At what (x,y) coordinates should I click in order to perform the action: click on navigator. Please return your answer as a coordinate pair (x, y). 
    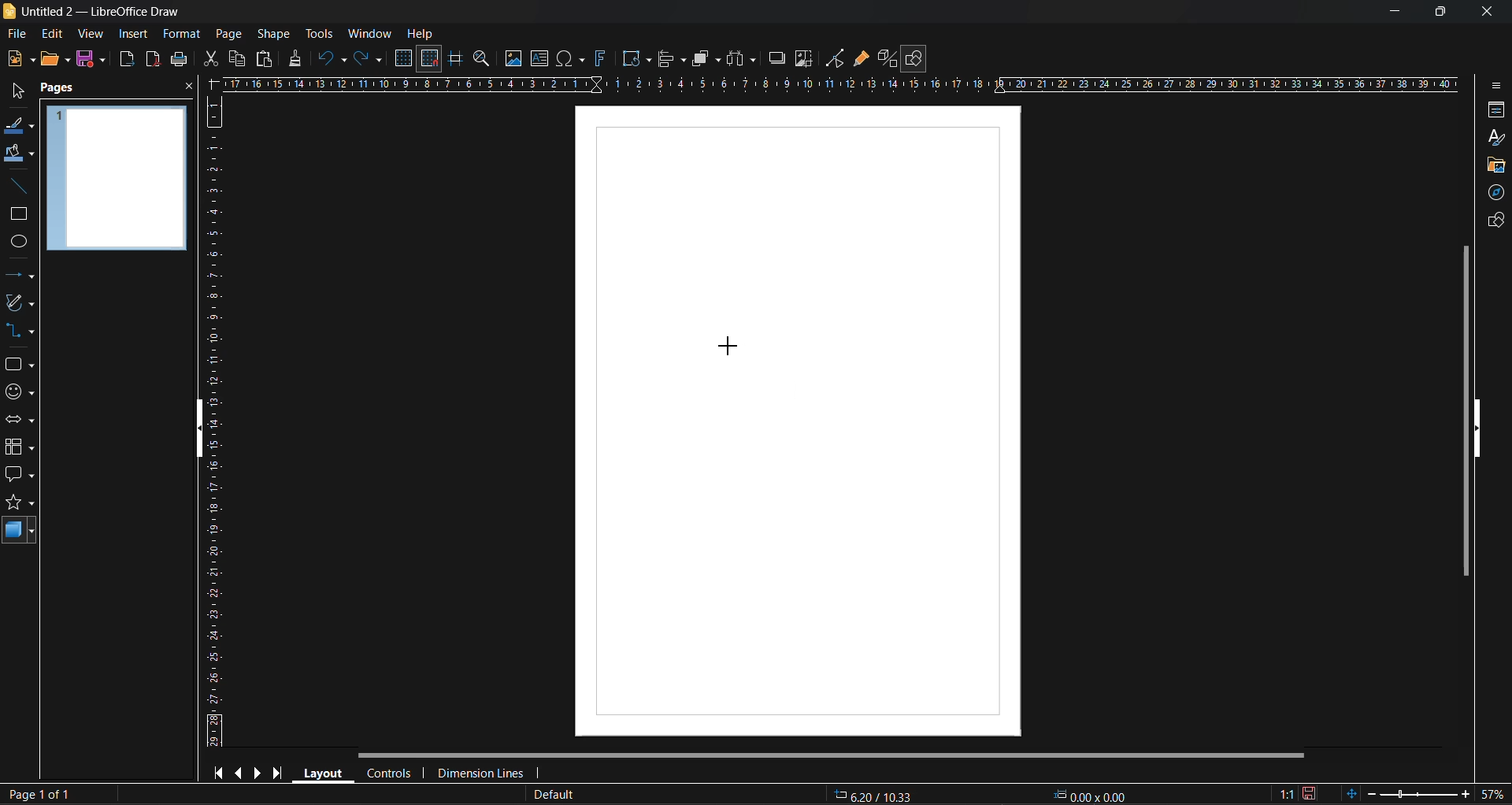
    Looking at the image, I should click on (1498, 195).